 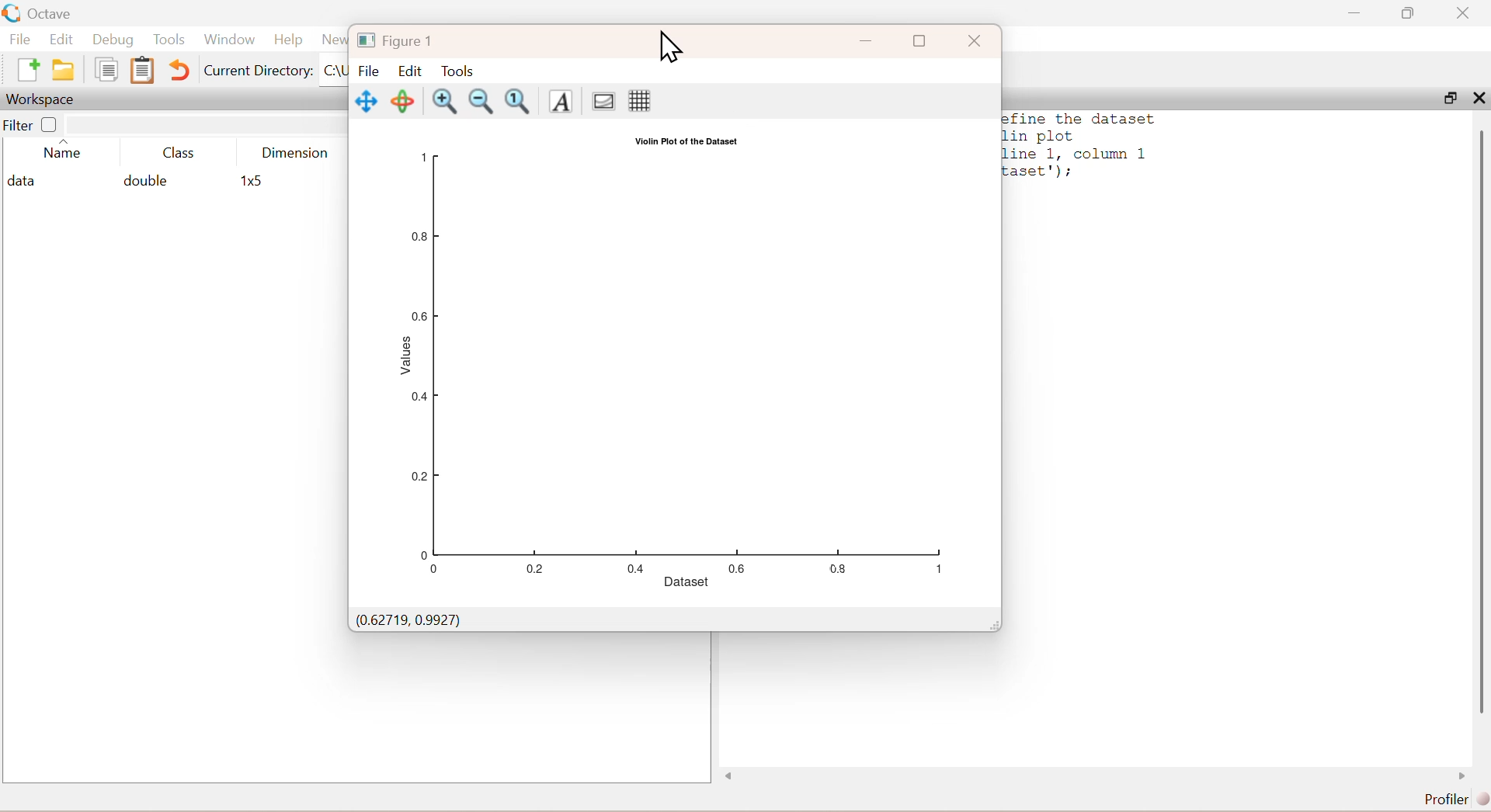 What do you see at coordinates (20, 38) in the screenshot?
I see `file` at bounding box center [20, 38].